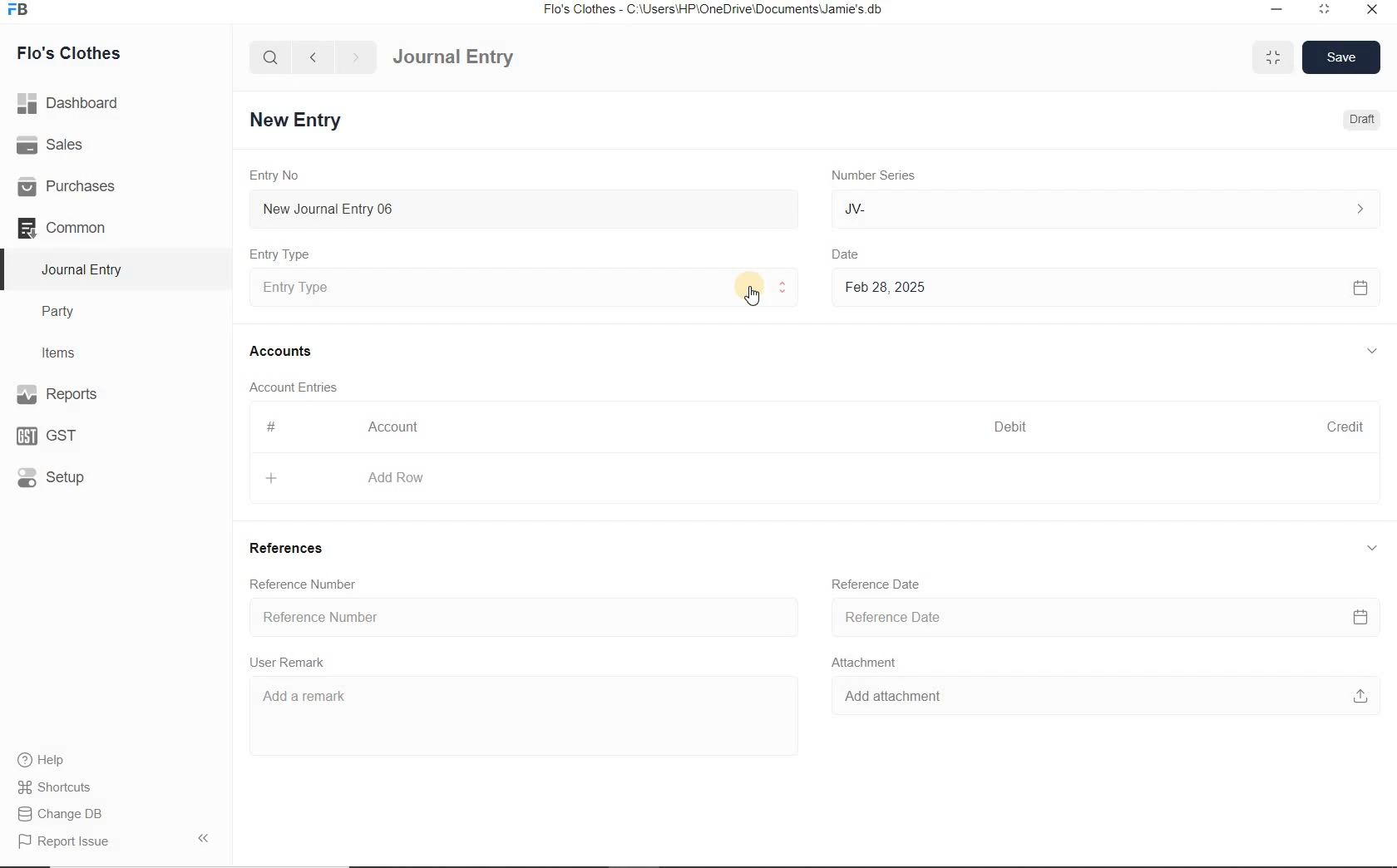 Image resolution: width=1397 pixels, height=868 pixels. Describe the element at coordinates (272, 427) in the screenshot. I see `#` at that location.